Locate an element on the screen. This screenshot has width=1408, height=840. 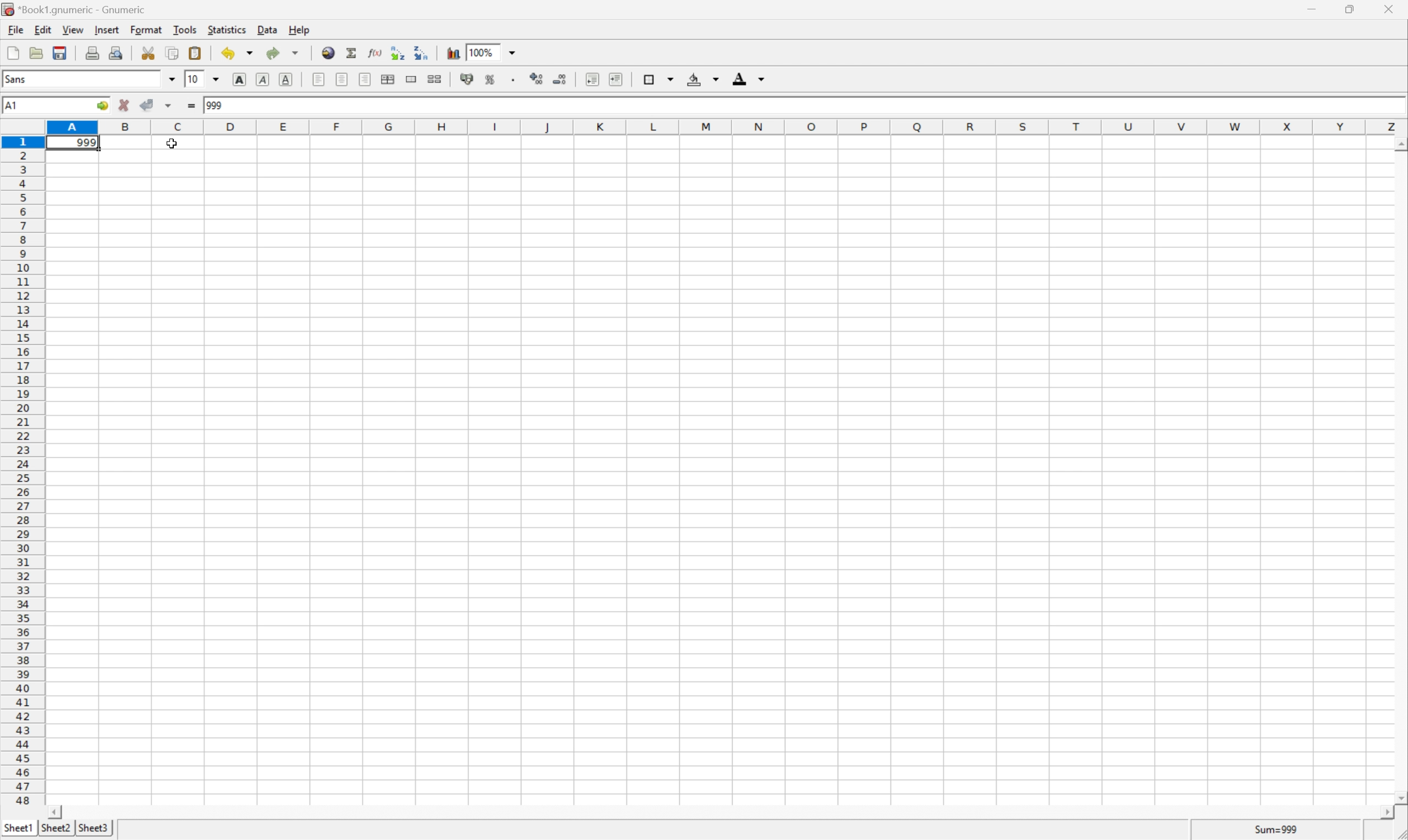
redo is located at coordinates (283, 52).